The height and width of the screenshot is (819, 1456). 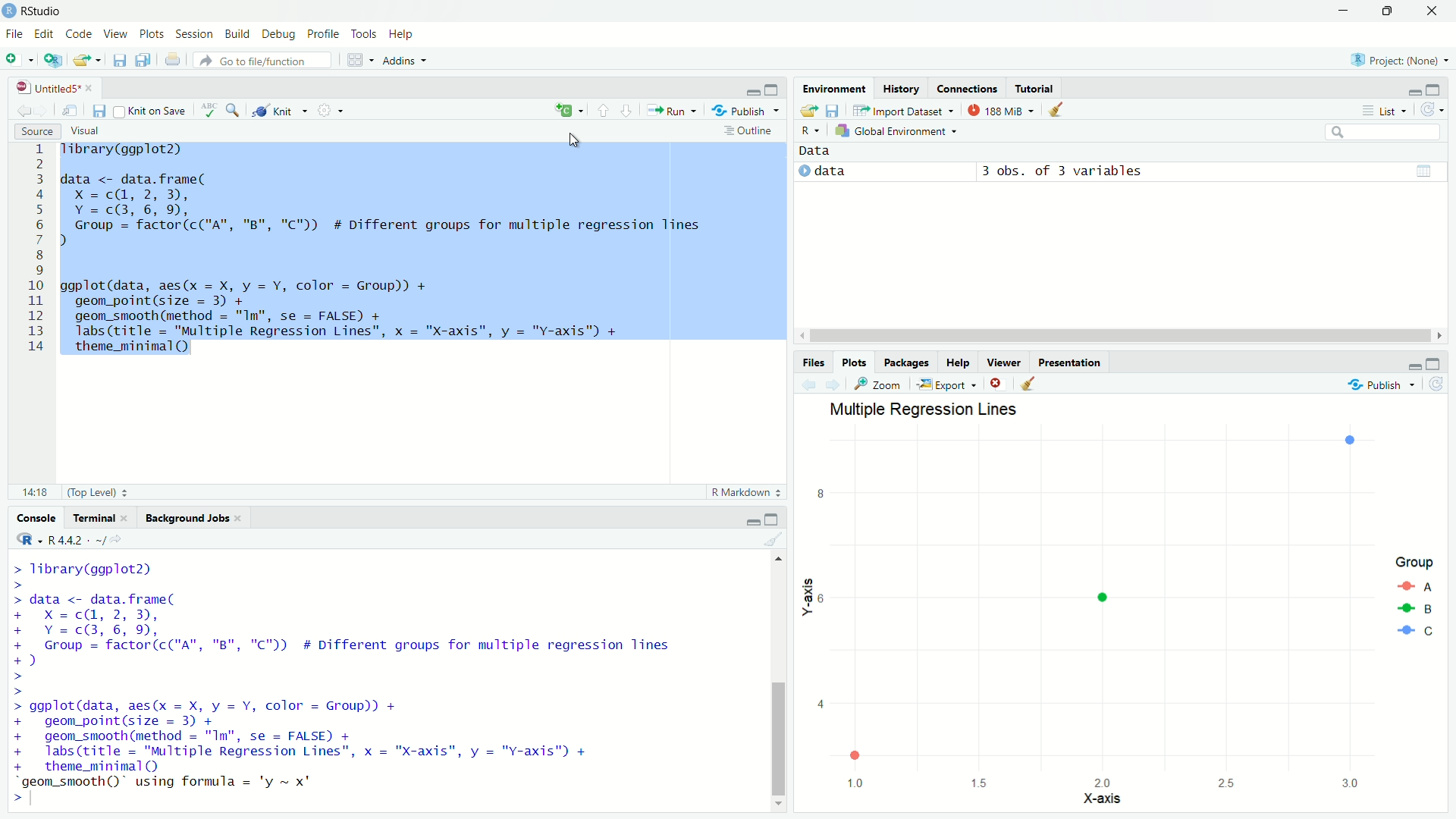 I want to click on scroll bar, so click(x=1125, y=335).